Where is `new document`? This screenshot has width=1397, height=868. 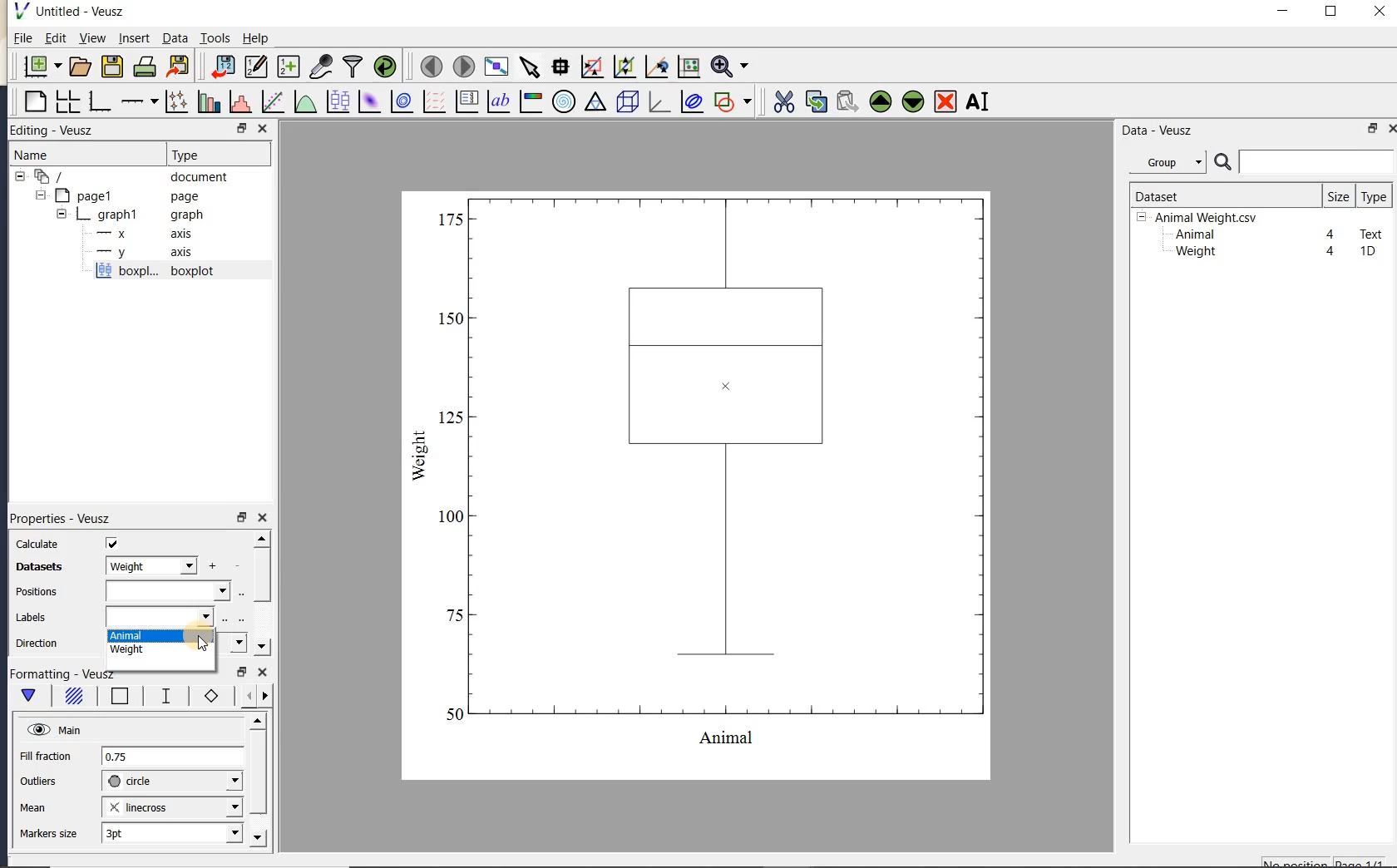 new document is located at coordinates (38, 67).